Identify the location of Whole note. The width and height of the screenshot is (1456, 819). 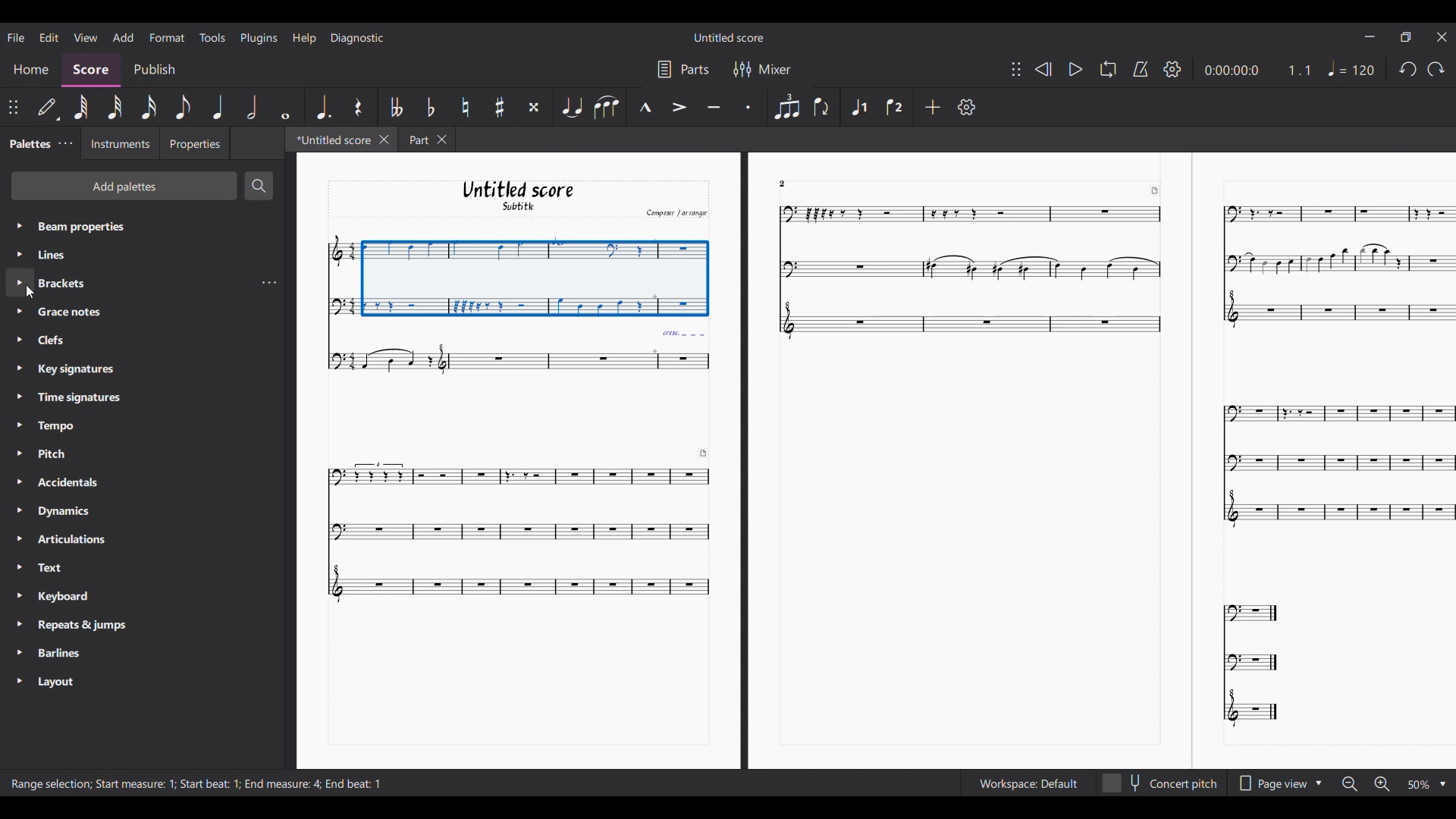
(284, 107).